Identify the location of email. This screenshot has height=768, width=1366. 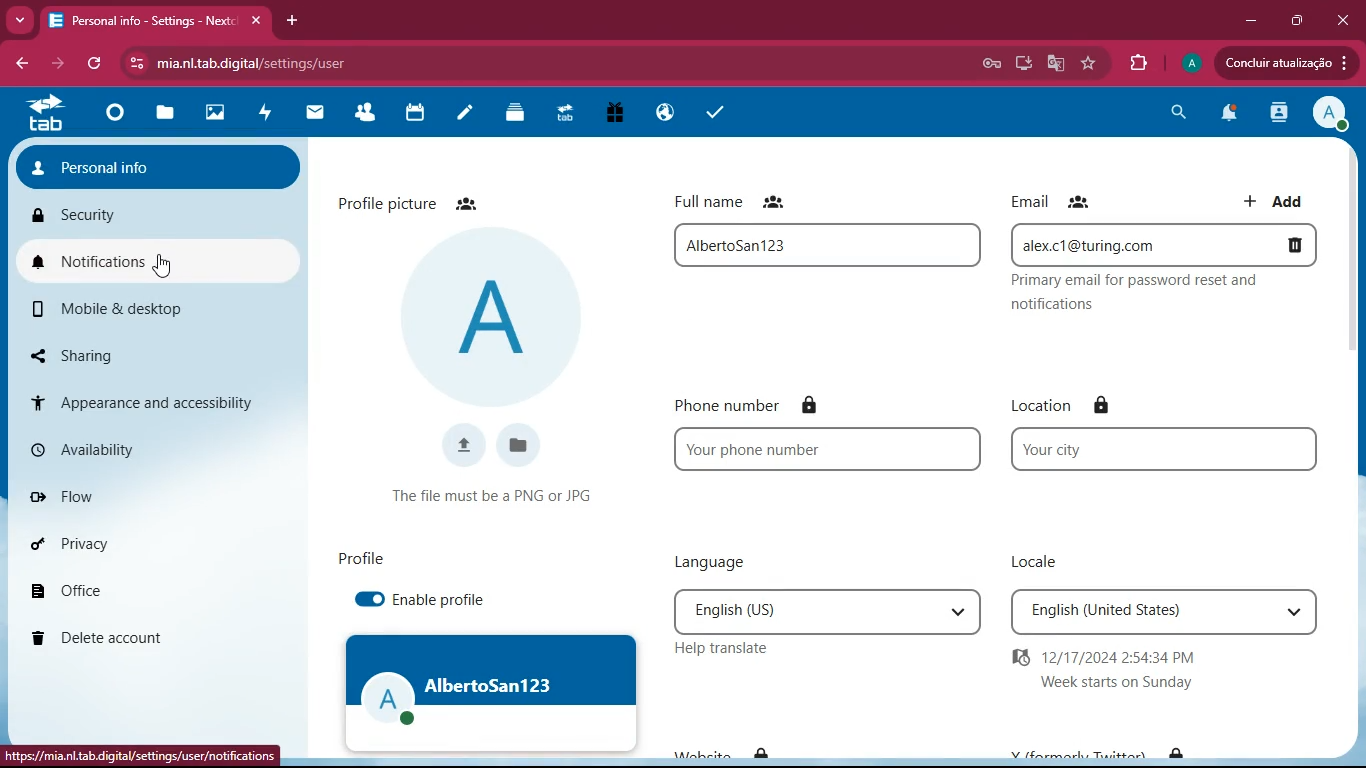
(1053, 199).